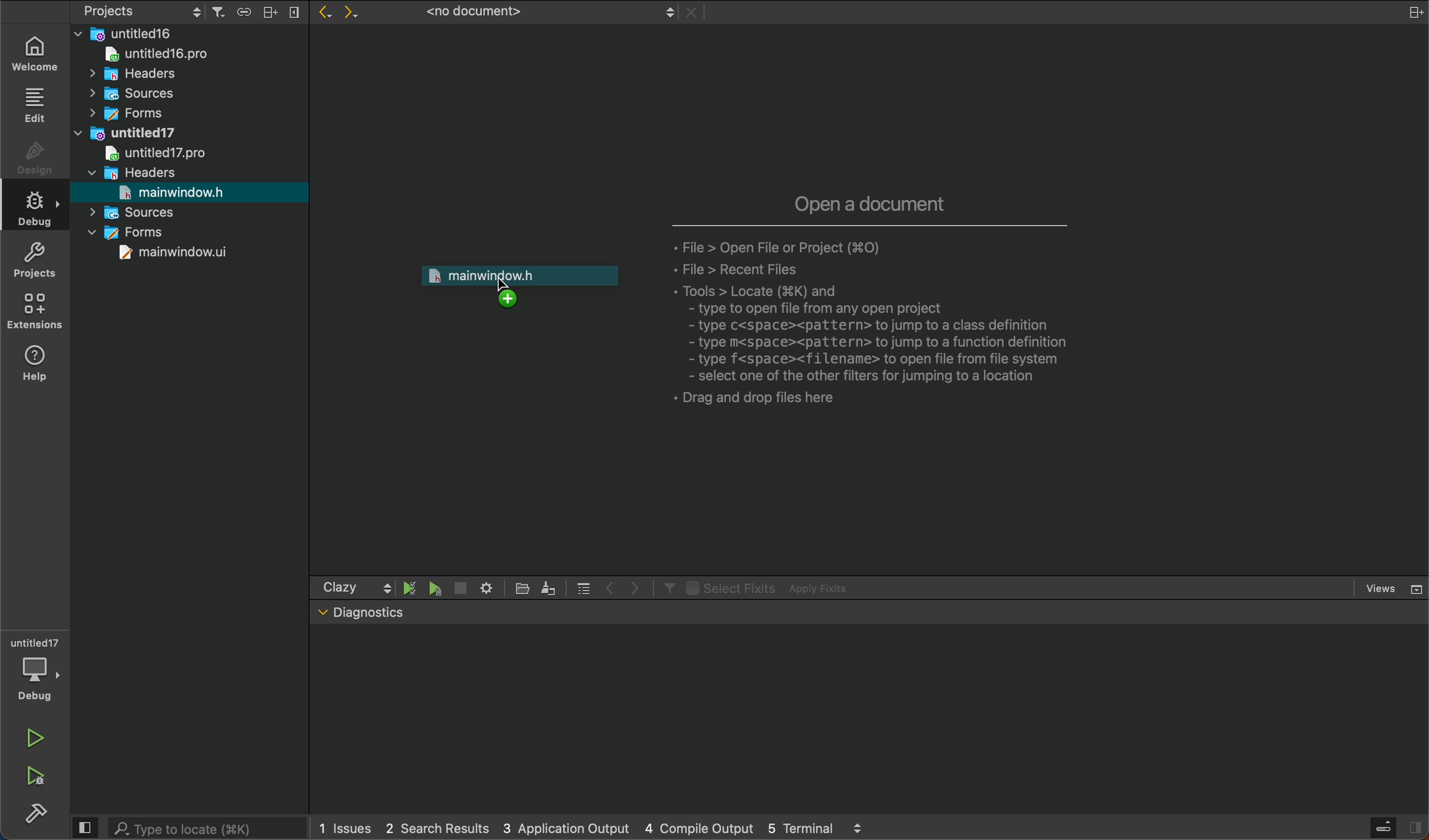 The image size is (1429, 840). What do you see at coordinates (545, 12) in the screenshot?
I see `<no document>` at bounding box center [545, 12].